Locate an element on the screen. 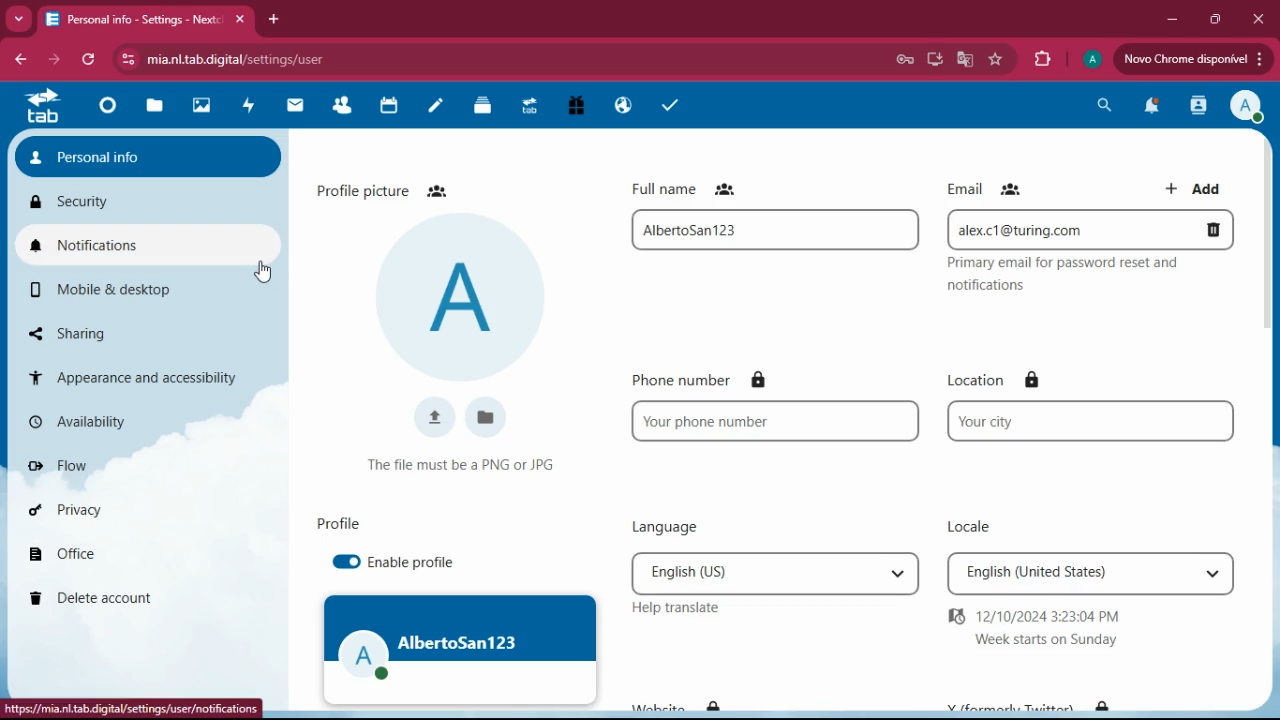 The width and height of the screenshot is (1280, 720). search is located at coordinates (1105, 103).